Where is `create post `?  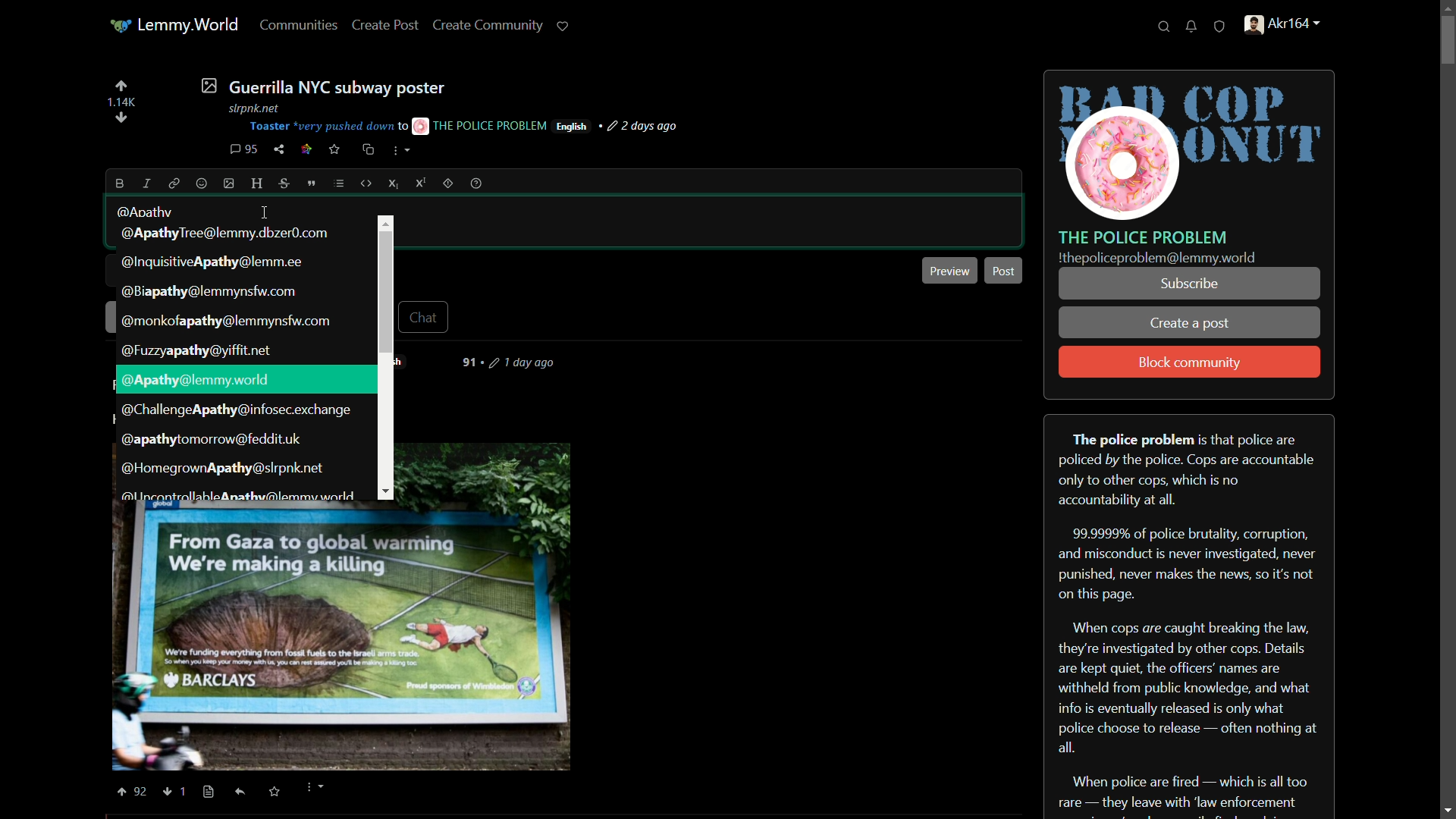
create post  is located at coordinates (386, 26).